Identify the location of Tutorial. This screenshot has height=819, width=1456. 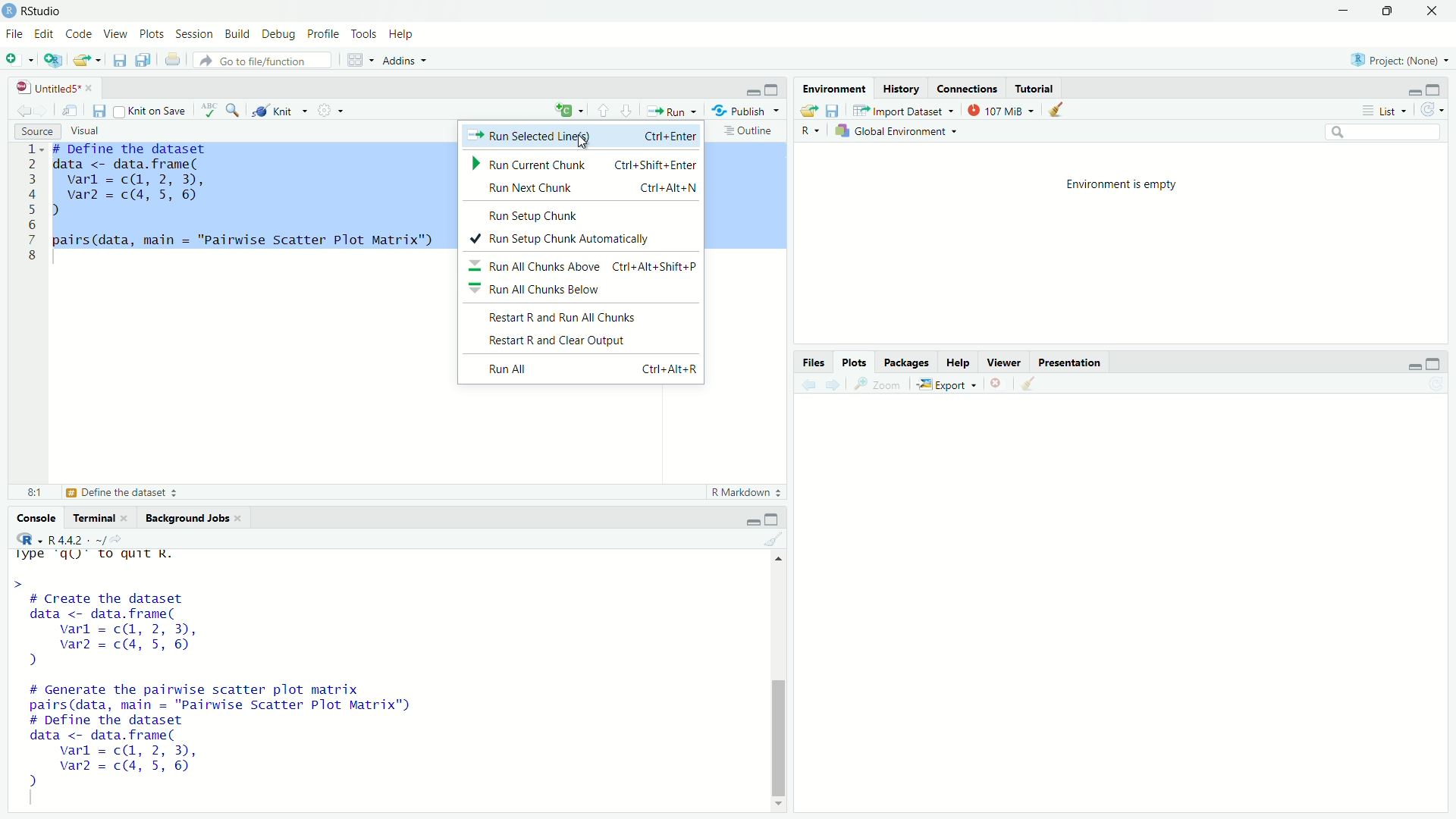
(1037, 88).